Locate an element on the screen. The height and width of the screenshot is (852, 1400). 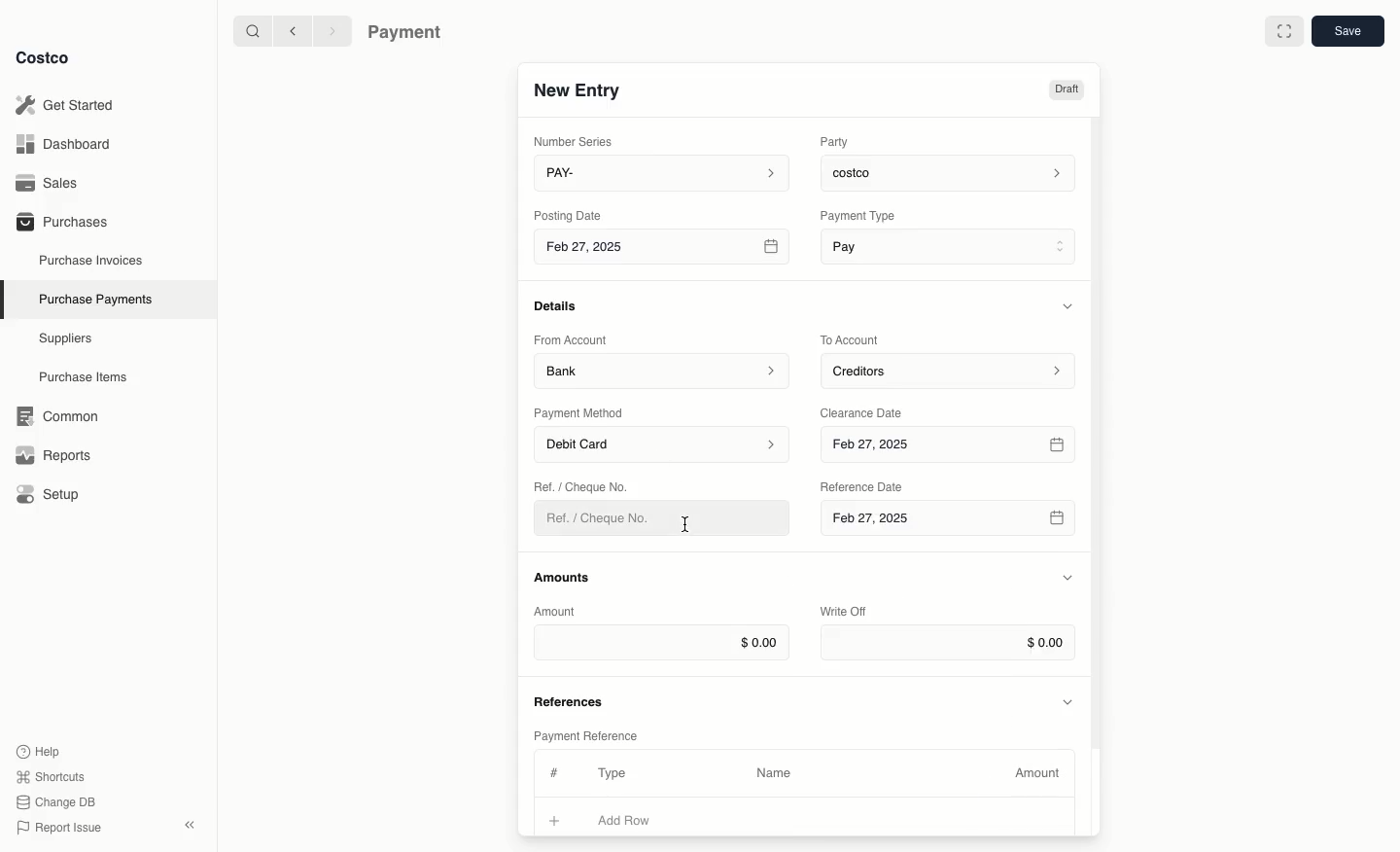
‘Payment Type is located at coordinates (857, 215).